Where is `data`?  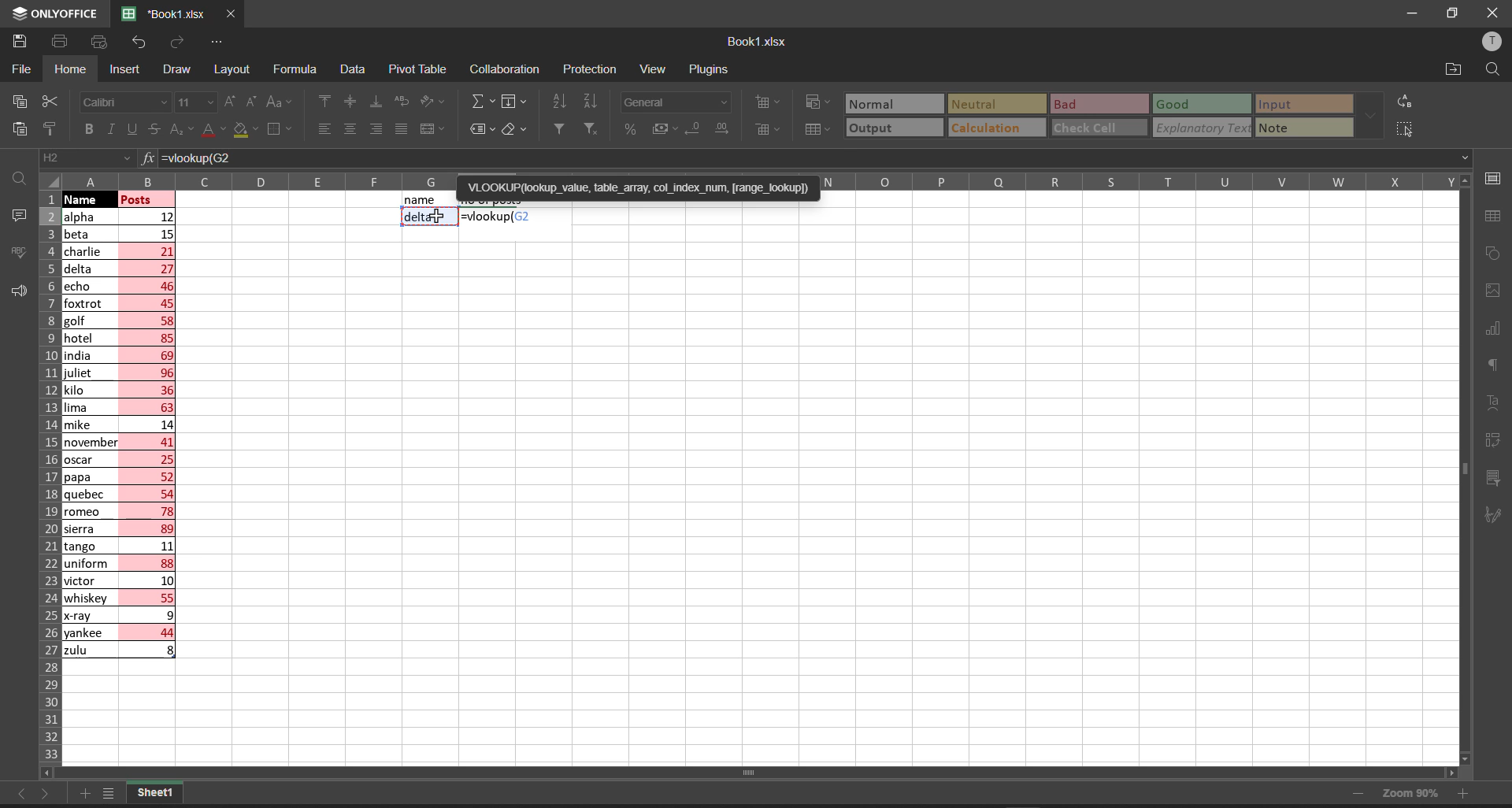
data is located at coordinates (353, 69).